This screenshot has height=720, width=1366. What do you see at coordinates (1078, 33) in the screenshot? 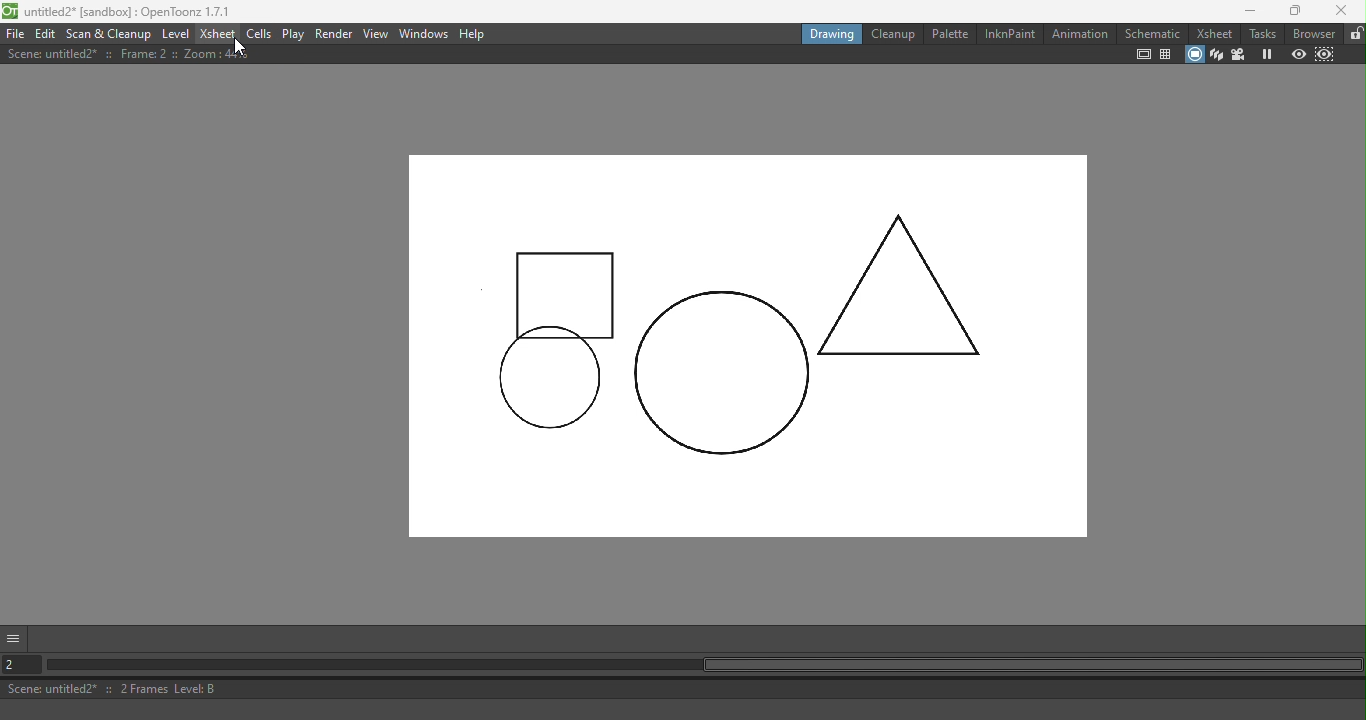
I see `Animation` at bounding box center [1078, 33].